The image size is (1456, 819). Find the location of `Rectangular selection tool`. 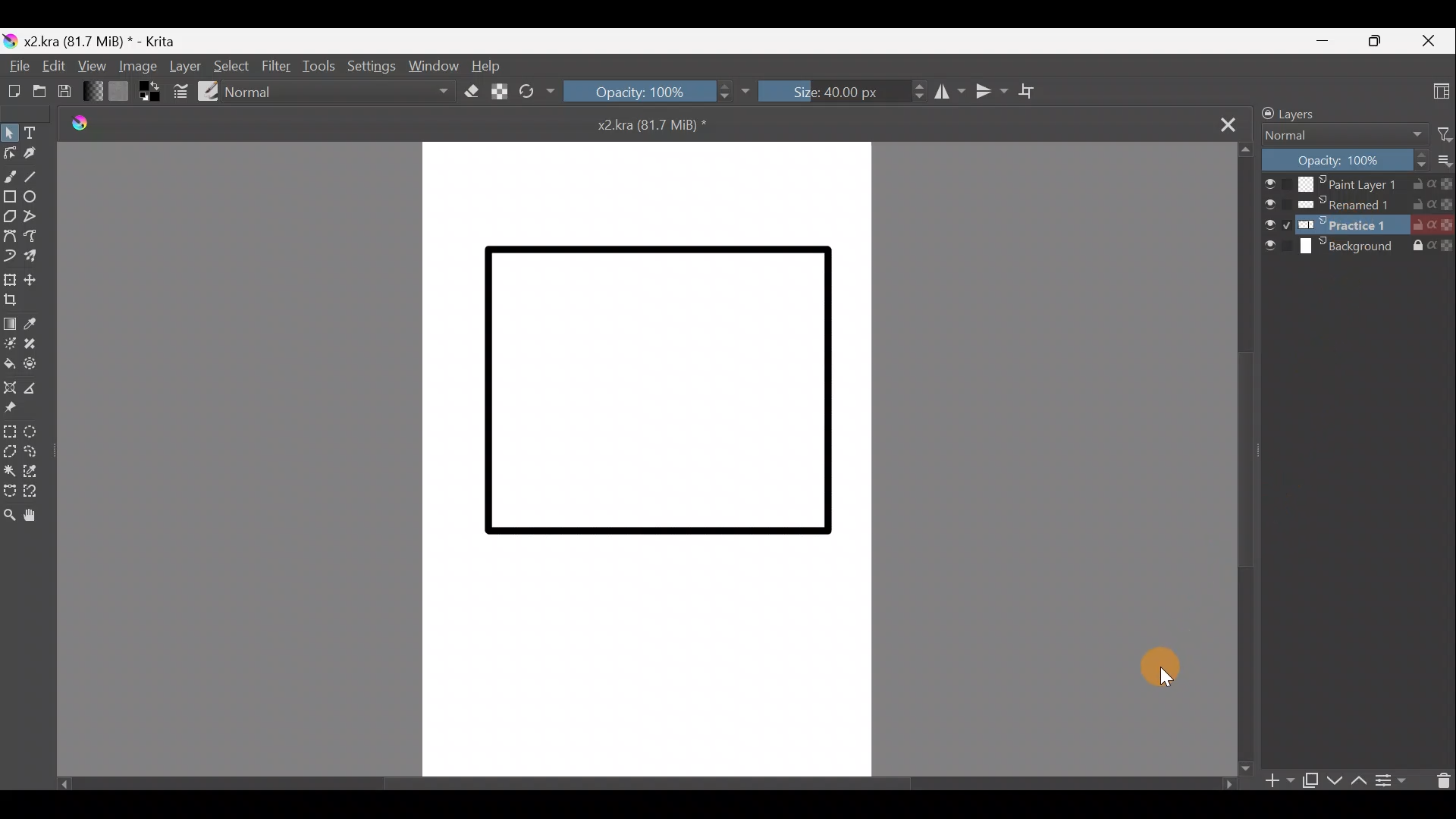

Rectangular selection tool is located at coordinates (10, 431).